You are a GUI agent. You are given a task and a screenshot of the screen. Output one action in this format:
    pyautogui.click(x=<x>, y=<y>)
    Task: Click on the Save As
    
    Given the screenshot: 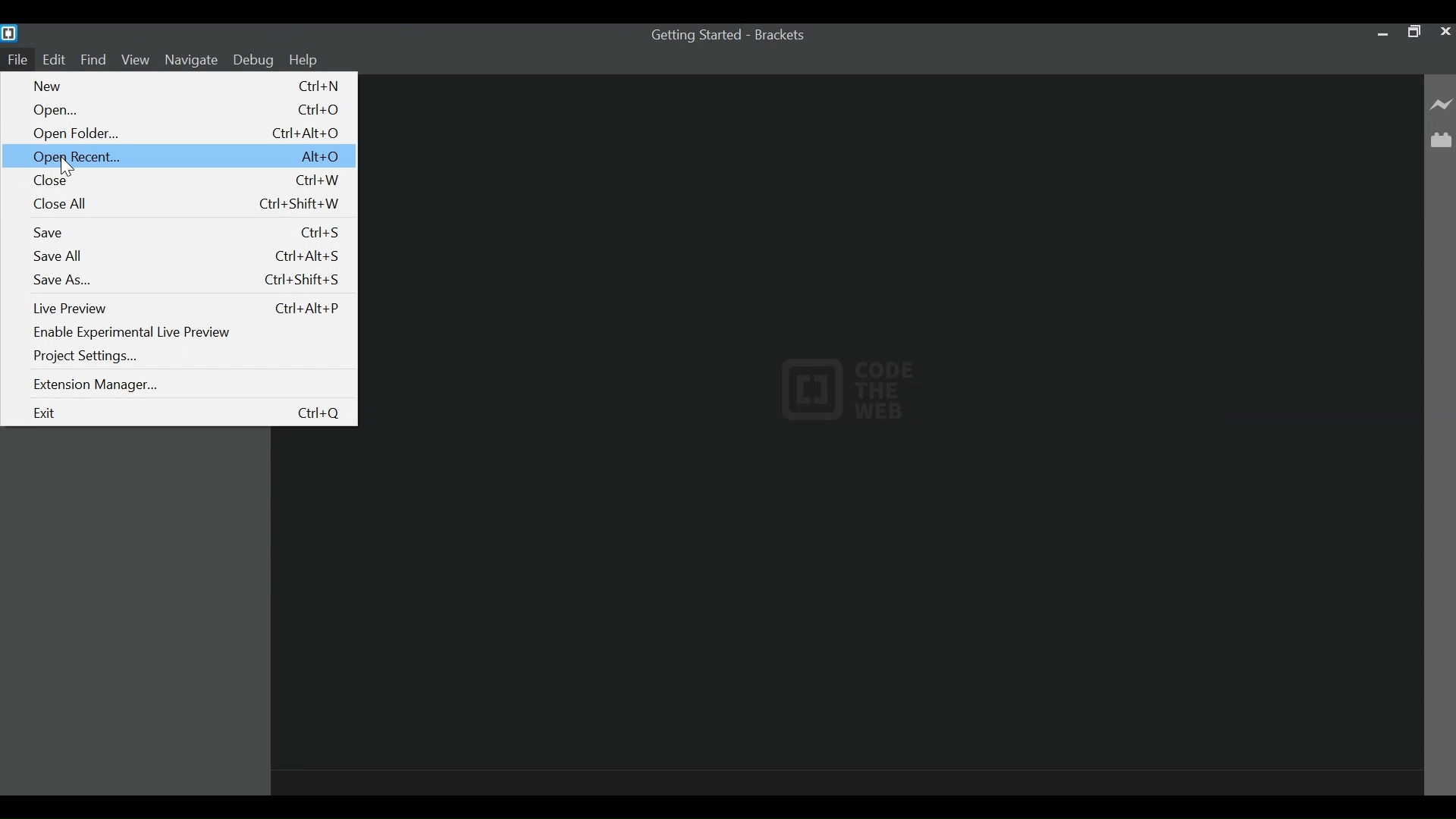 What is the action you would take?
    pyautogui.click(x=185, y=280)
    